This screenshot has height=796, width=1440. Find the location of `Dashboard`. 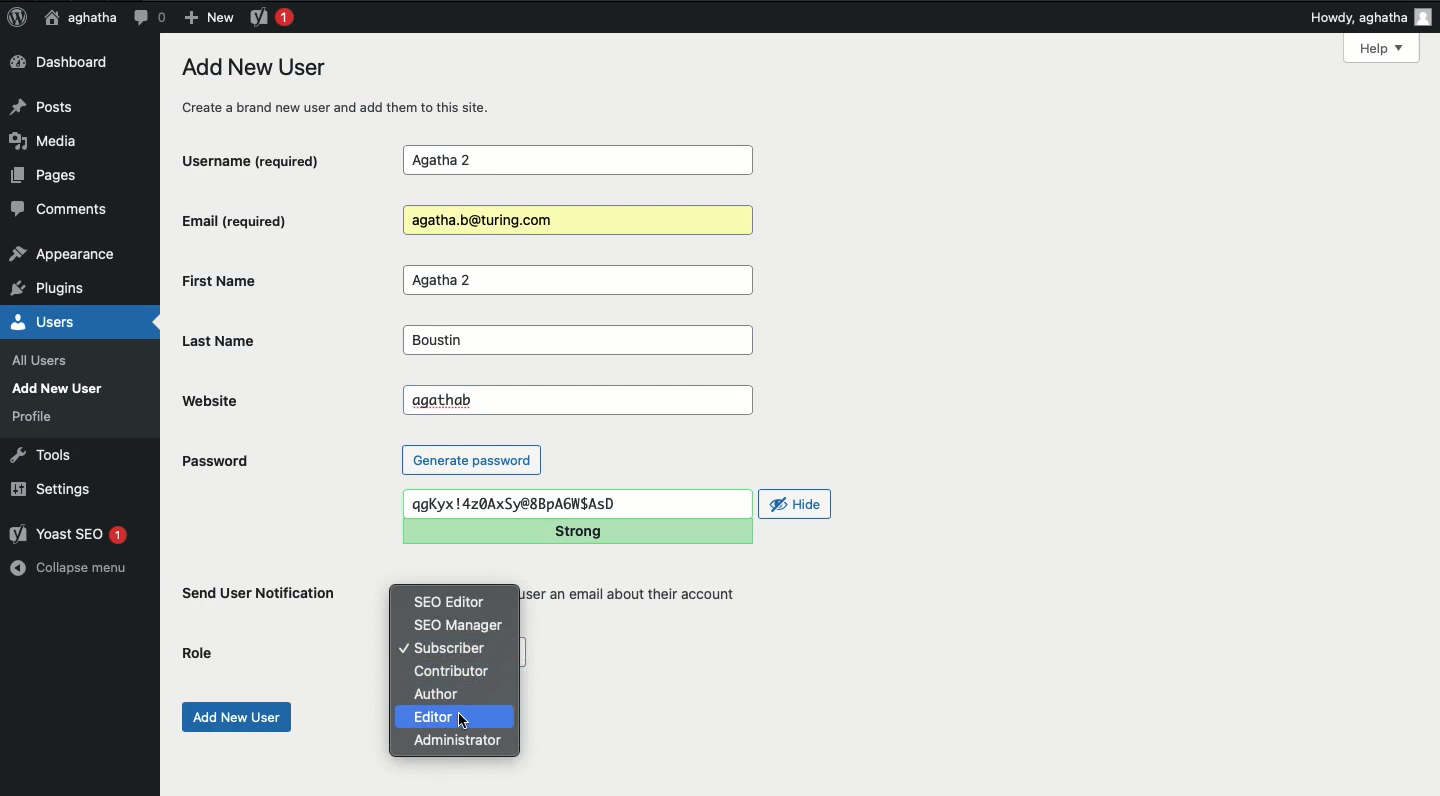

Dashboard is located at coordinates (65, 63).